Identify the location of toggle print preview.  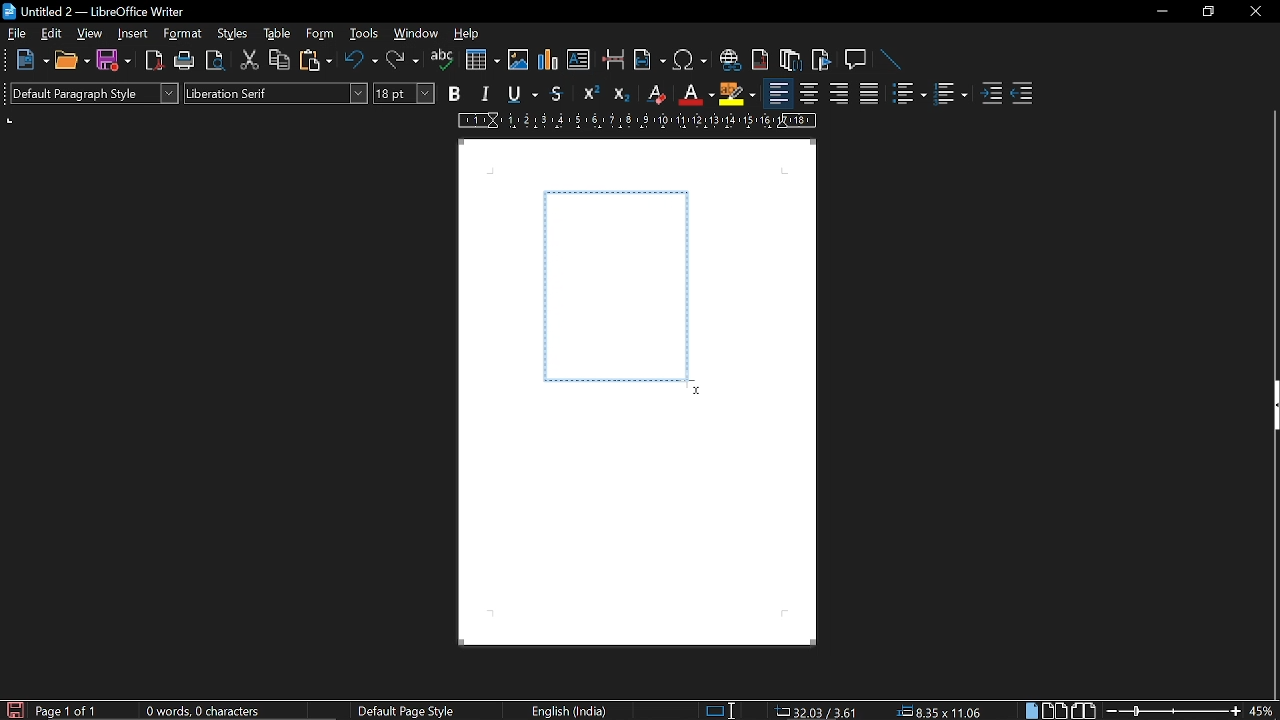
(213, 61).